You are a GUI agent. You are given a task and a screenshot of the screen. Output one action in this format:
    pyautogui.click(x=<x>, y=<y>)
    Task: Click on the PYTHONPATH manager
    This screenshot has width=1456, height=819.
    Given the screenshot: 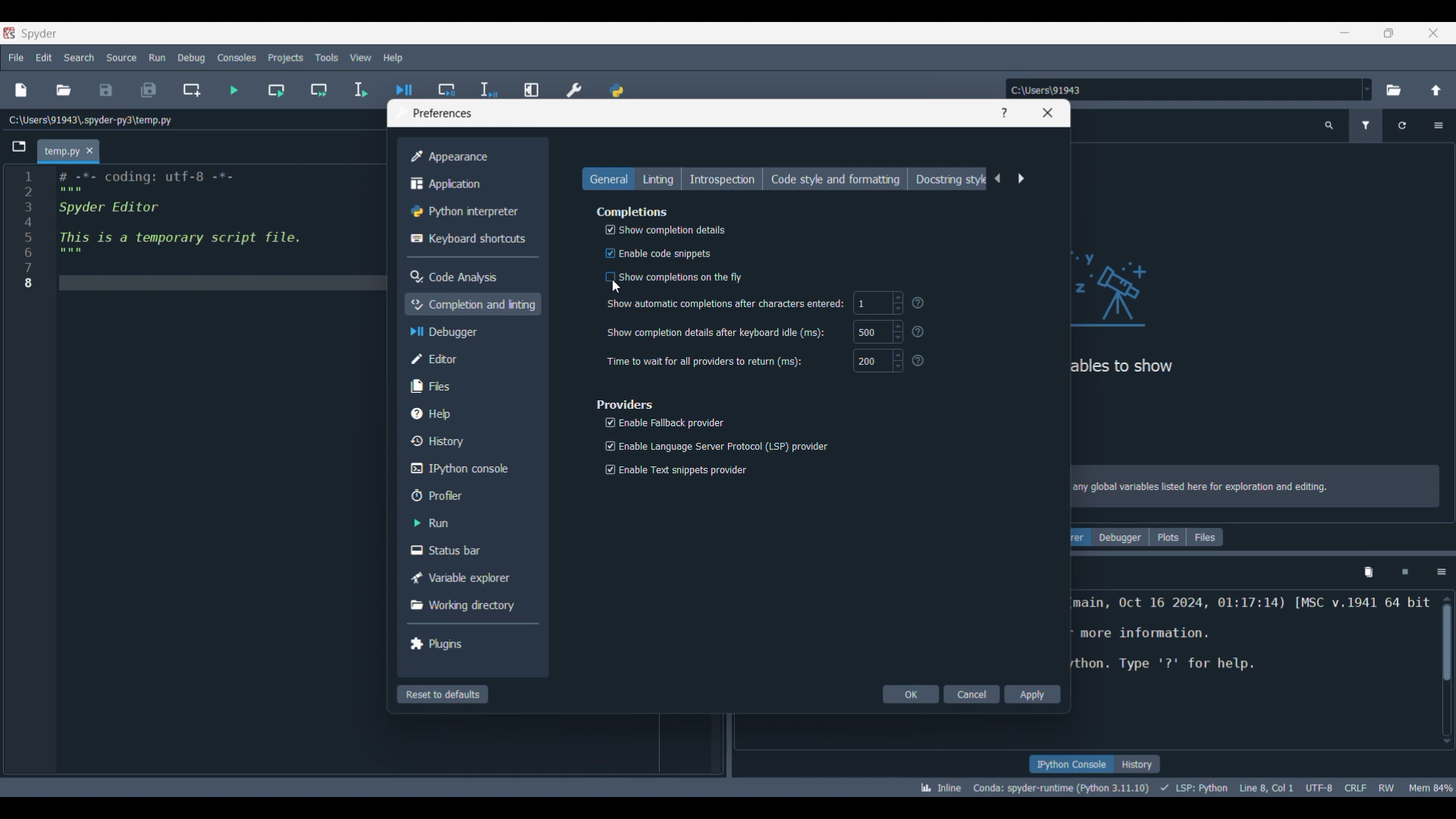 What is the action you would take?
    pyautogui.click(x=617, y=85)
    